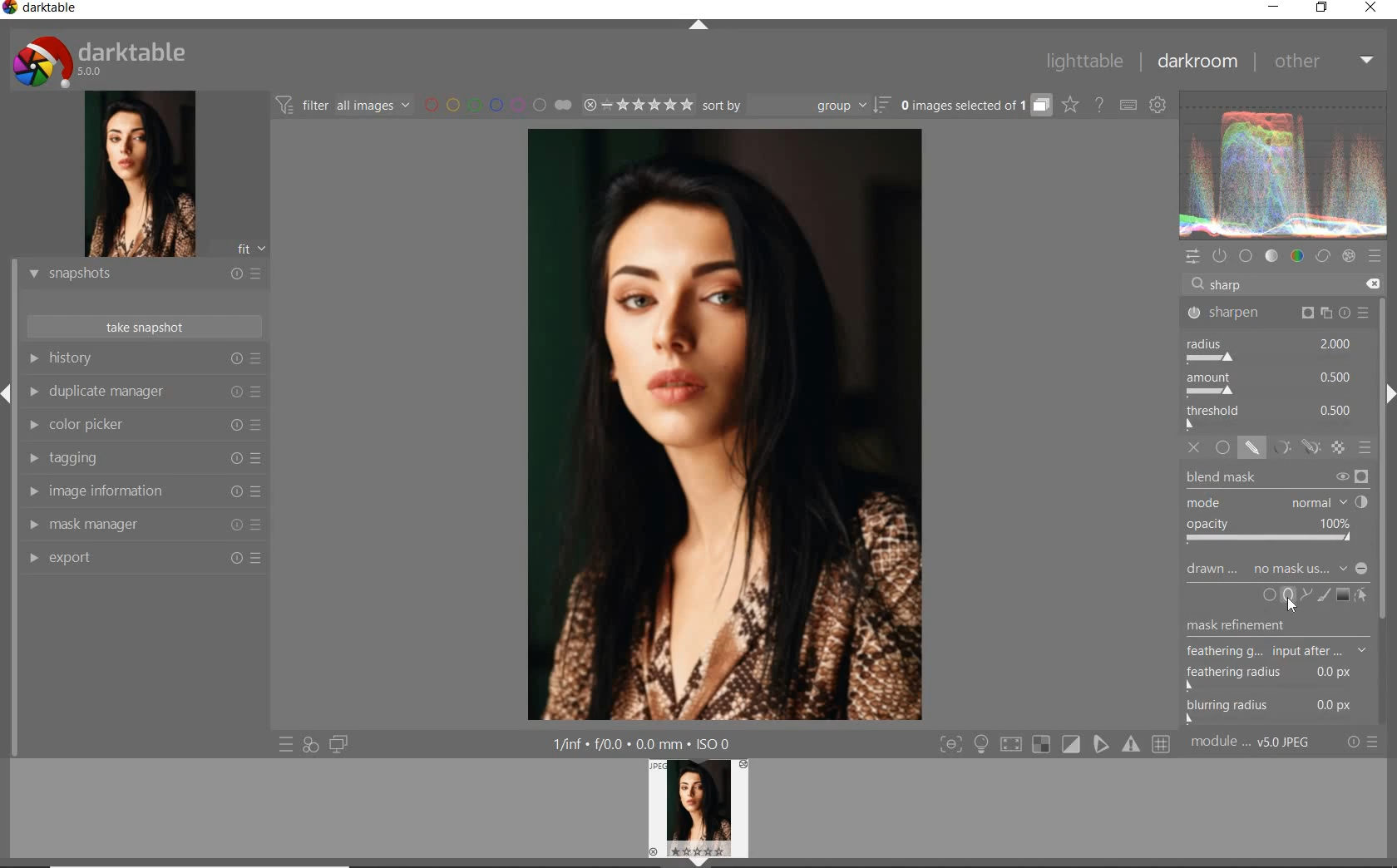 The image size is (1397, 868). Describe the element at coordinates (1363, 569) in the screenshot. I see `Minimize` at that location.